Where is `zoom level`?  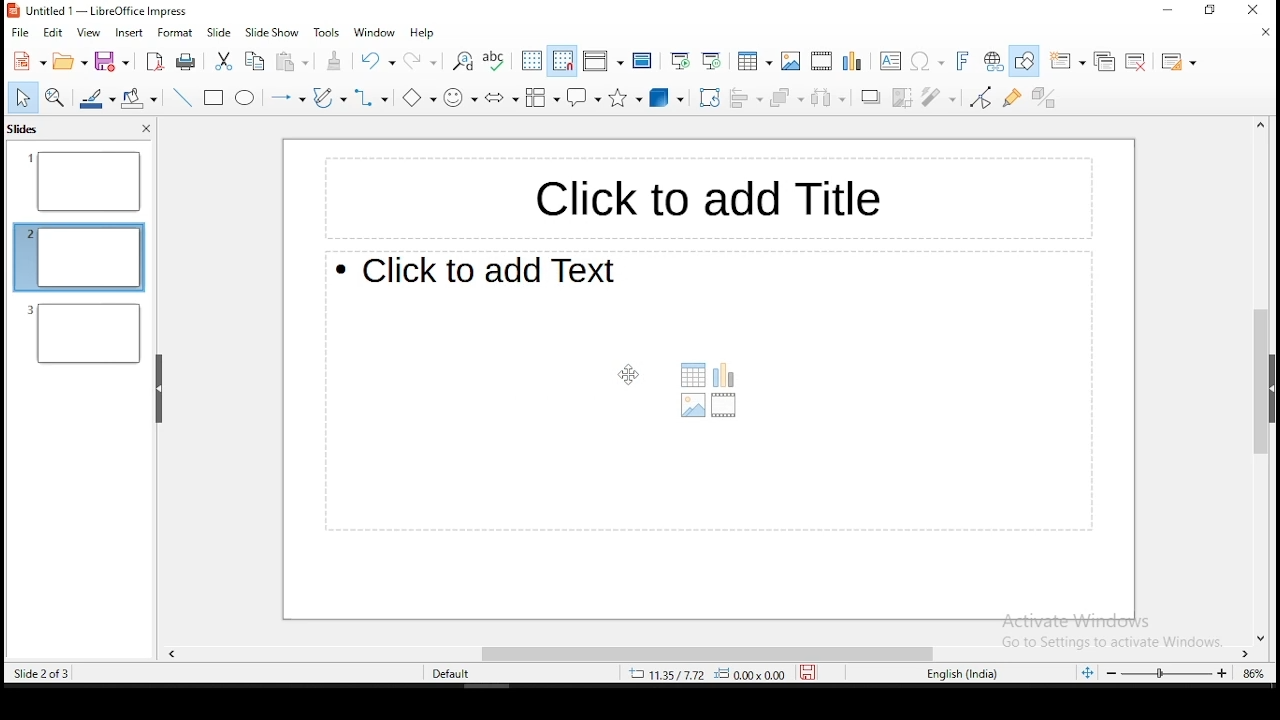 zoom level is located at coordinates (1253, 672).